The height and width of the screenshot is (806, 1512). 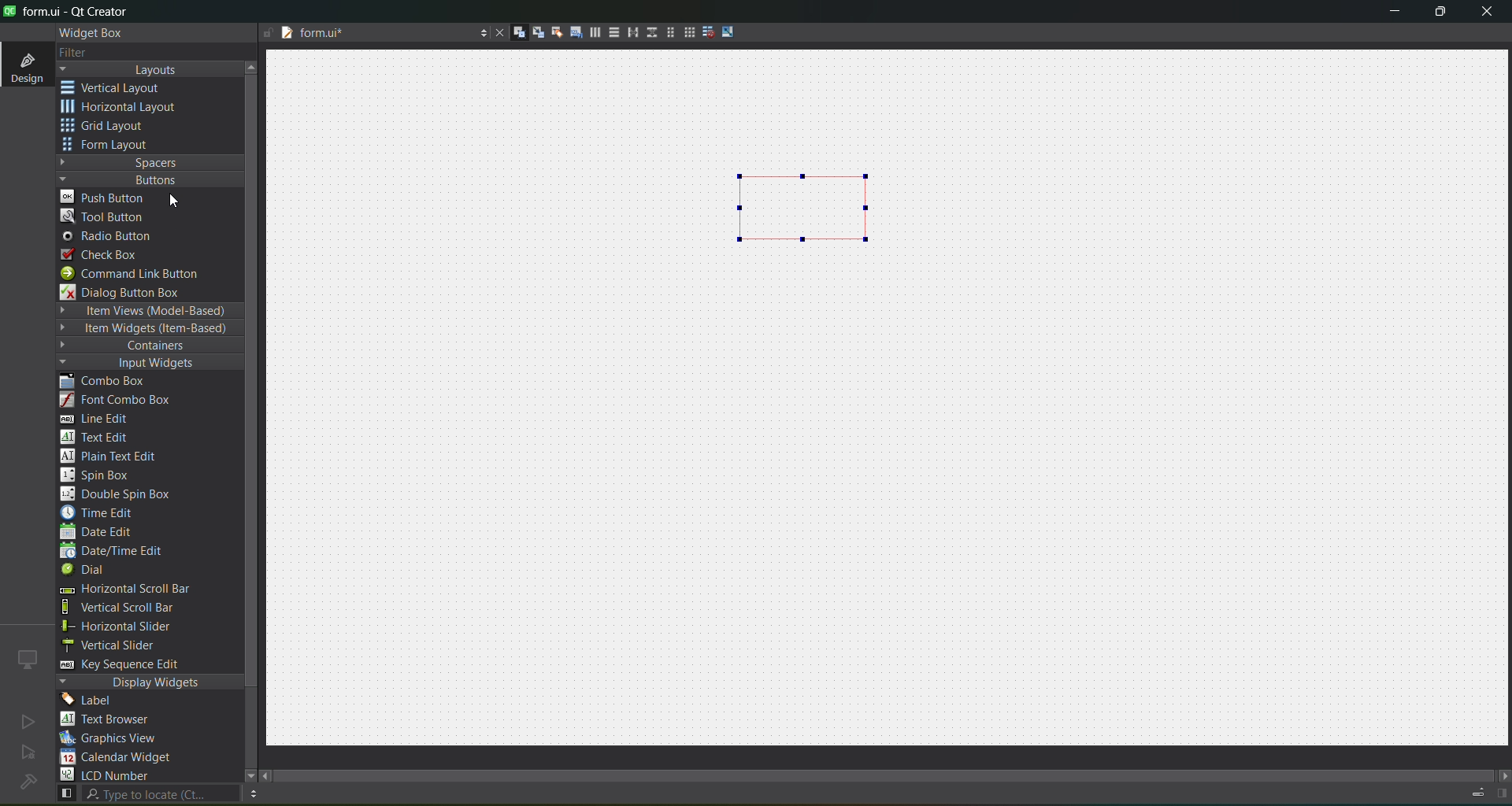 What do you see at coordinates (150, 162) in the screenshot?
I see `spaces` at bounding box center [150, 162].